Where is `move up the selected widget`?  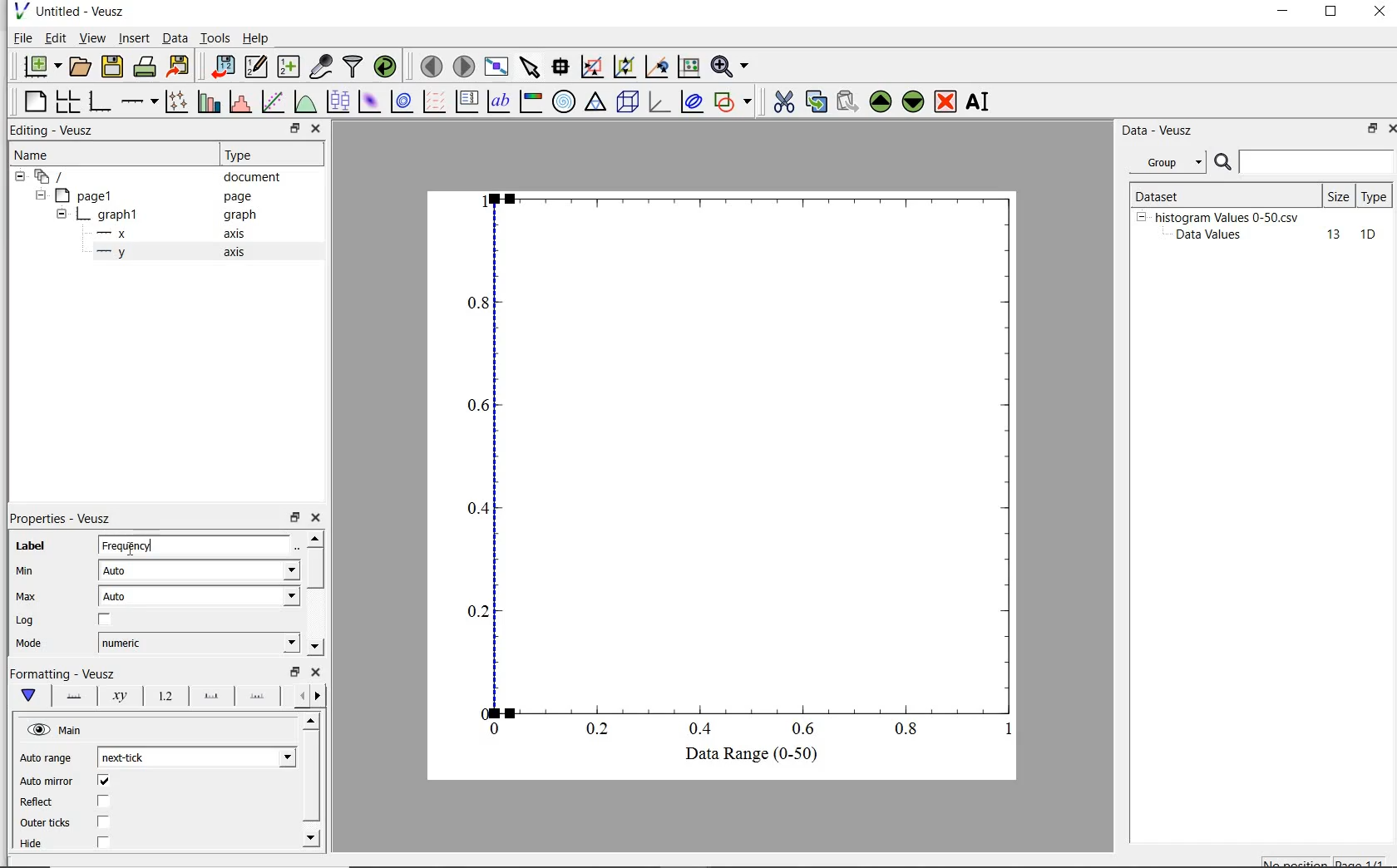
move up the selected widget is located at coordinates (879, 102).